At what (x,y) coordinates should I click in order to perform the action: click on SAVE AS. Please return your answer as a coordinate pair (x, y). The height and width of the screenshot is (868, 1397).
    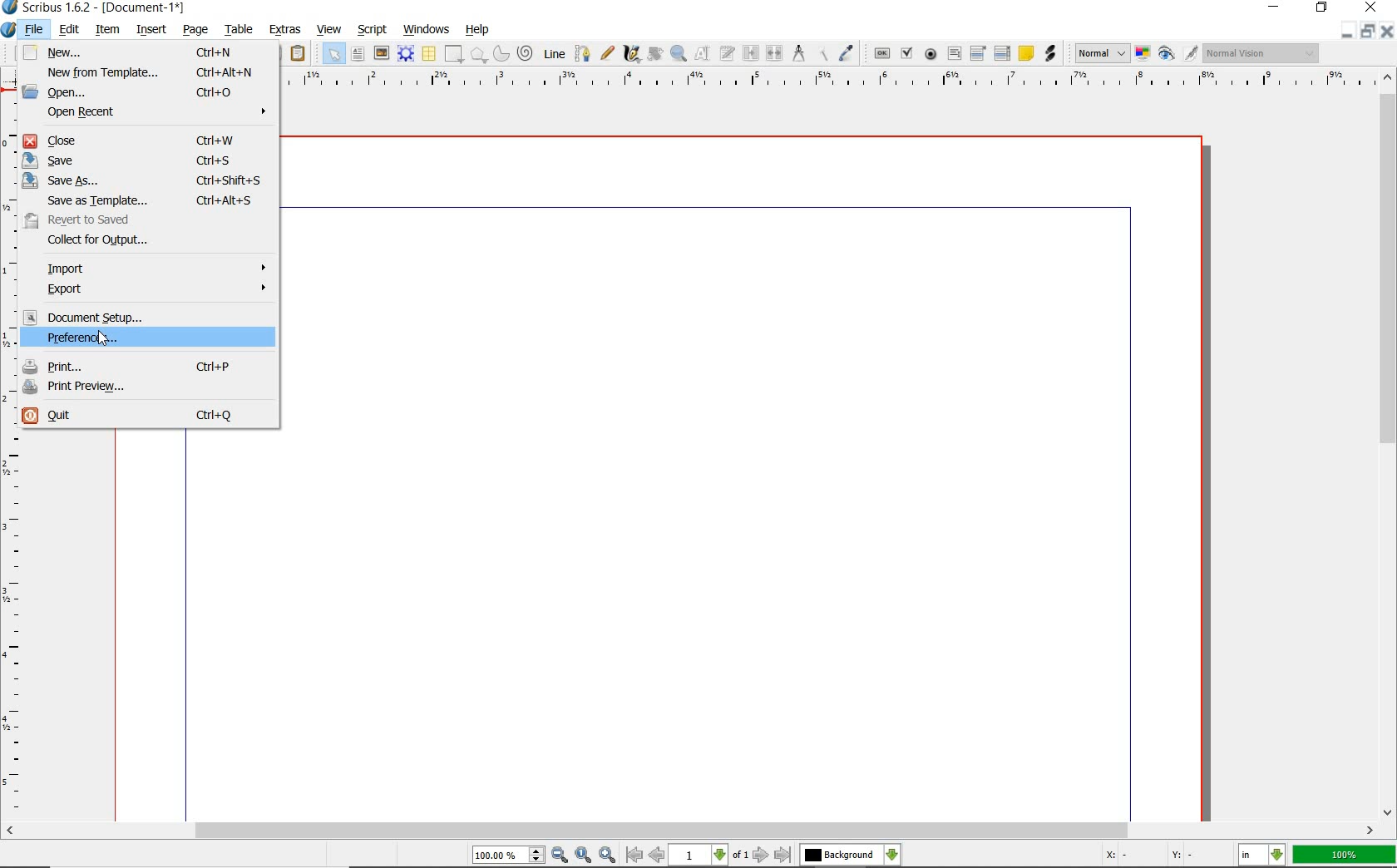
    Looking at the image, I should click on (147, 180).